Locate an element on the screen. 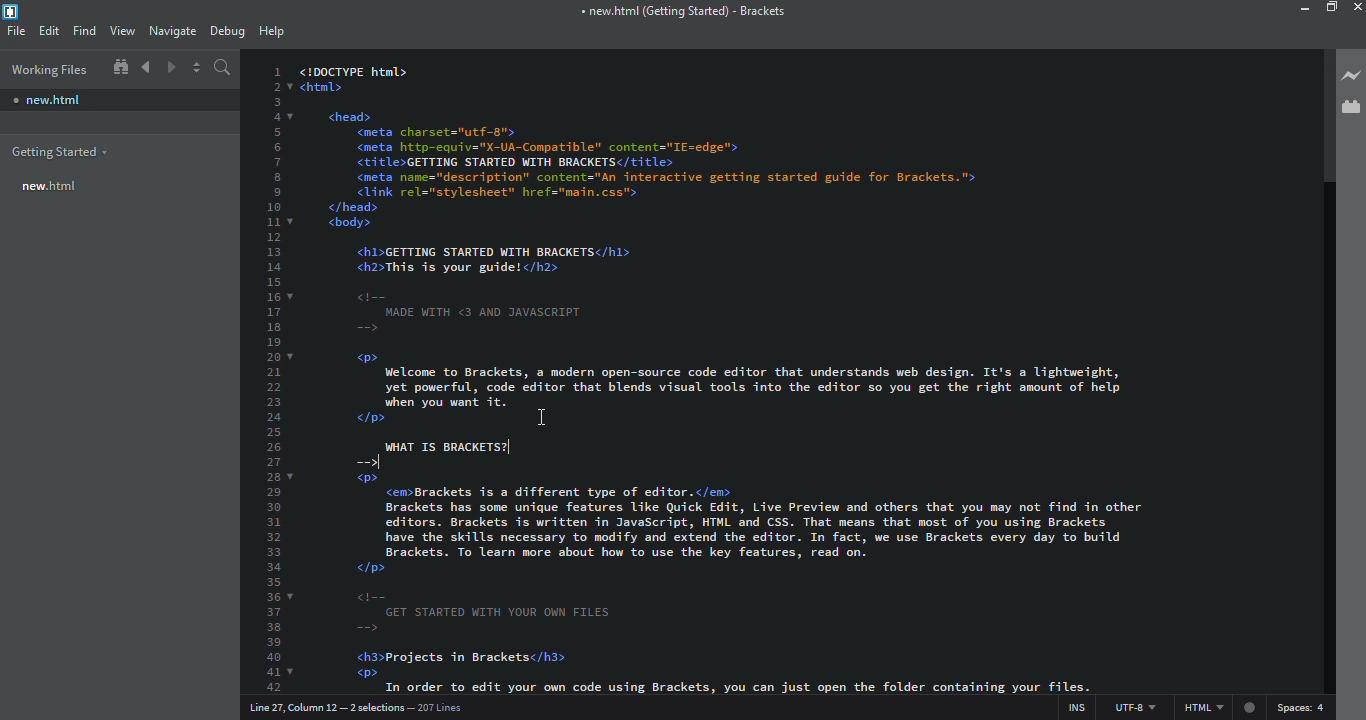 This screenshot has height=720, width=1366. brackets is located at coordinates (14, 12).